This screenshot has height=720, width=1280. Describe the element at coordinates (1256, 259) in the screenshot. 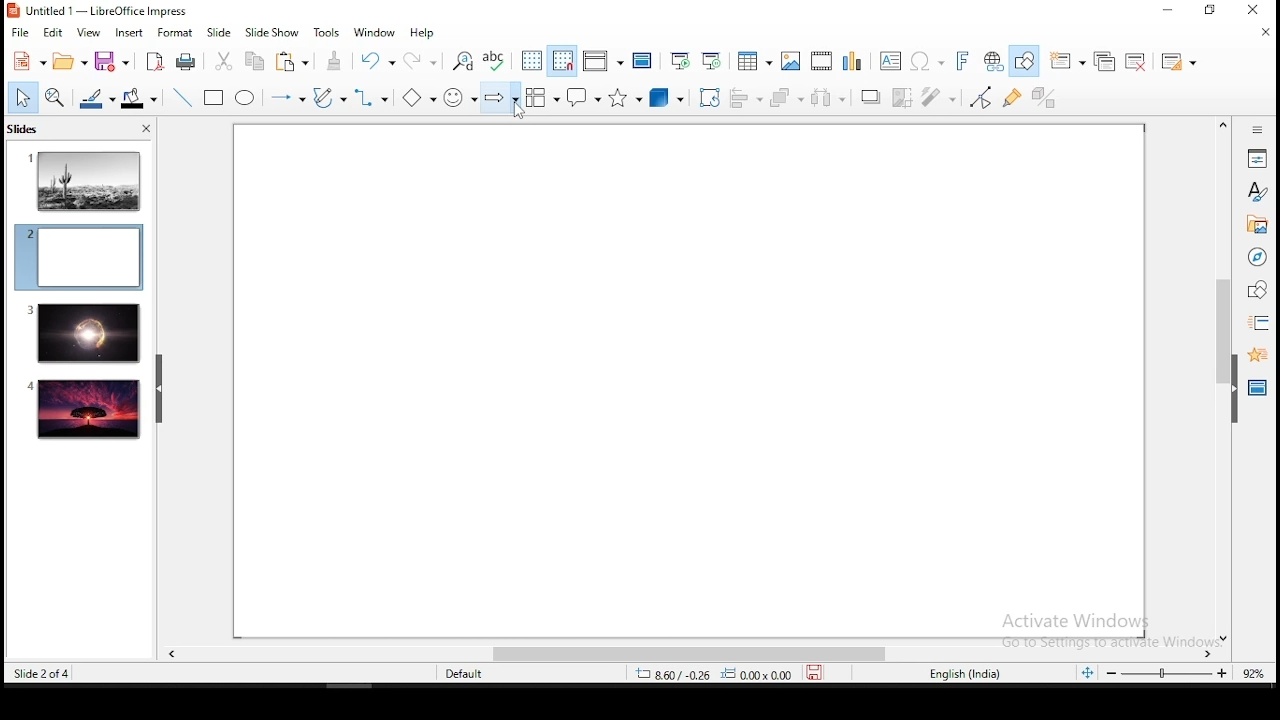

I see `navigator` at that location.